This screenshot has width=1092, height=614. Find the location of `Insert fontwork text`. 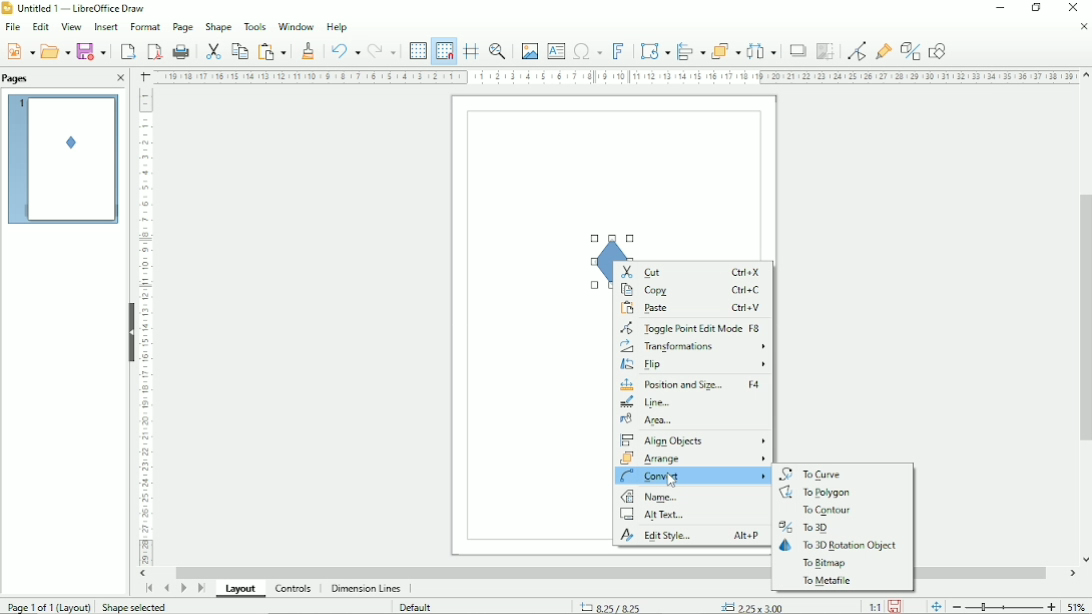

Insert fontwork text is located at coordinates (618, 50).